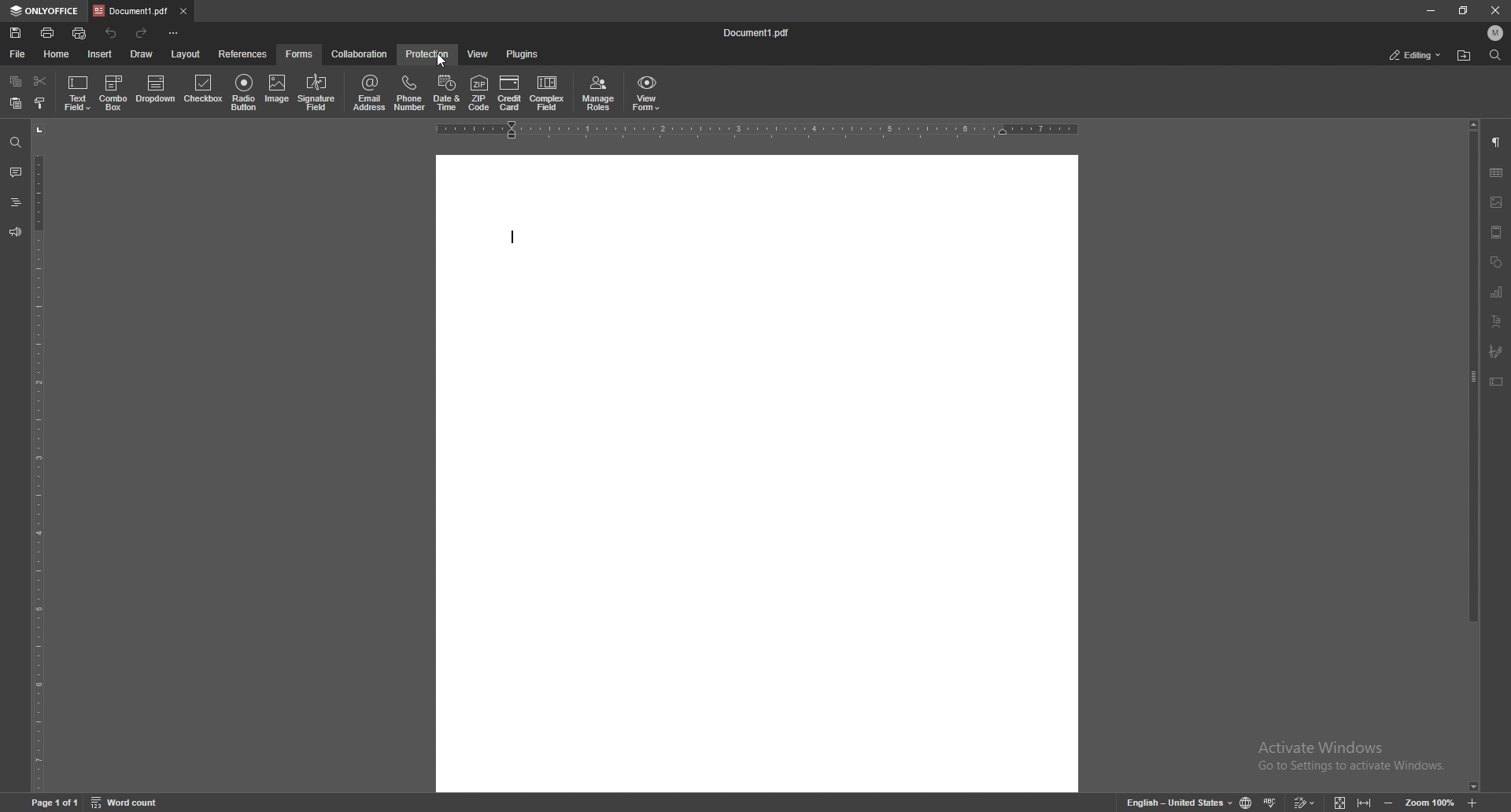 This screenshot has width=1511, height=812. I want to click on change text language, so click(1180, 801).